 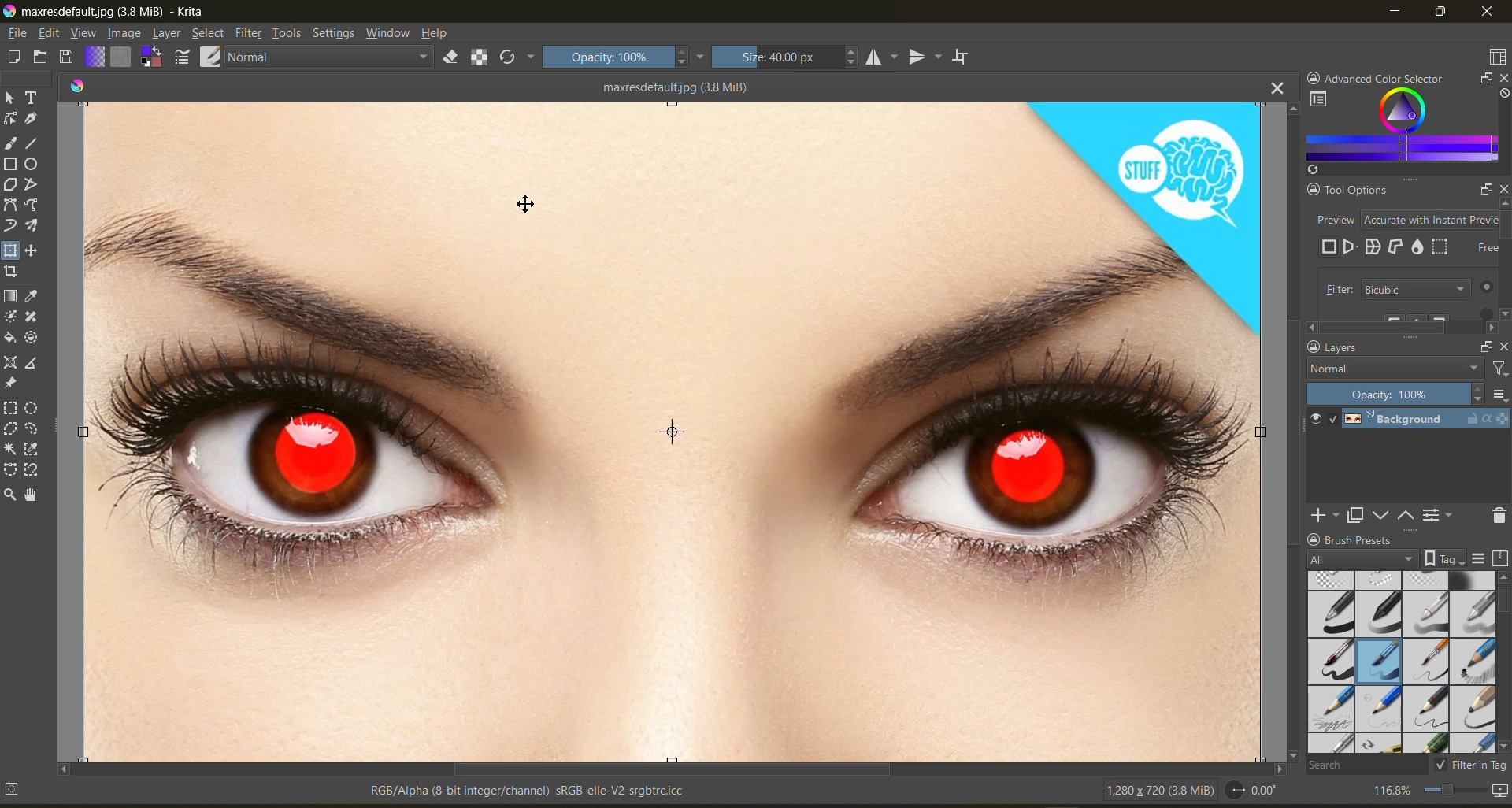 What do you see at coordinates (9, 337) in the screenshot?
I see `tool` at bounding box center [9, 337].